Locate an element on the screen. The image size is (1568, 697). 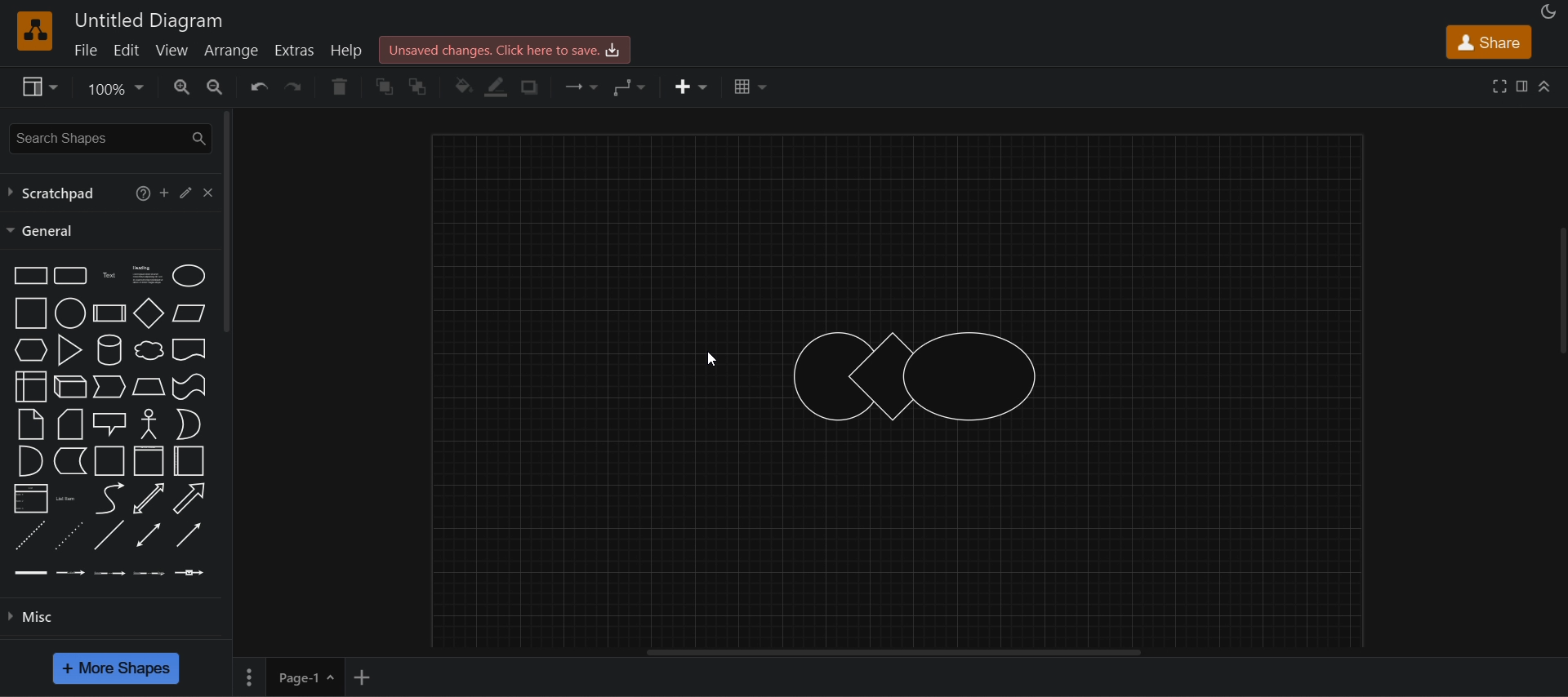
share is located at coordinates (1488, 42).